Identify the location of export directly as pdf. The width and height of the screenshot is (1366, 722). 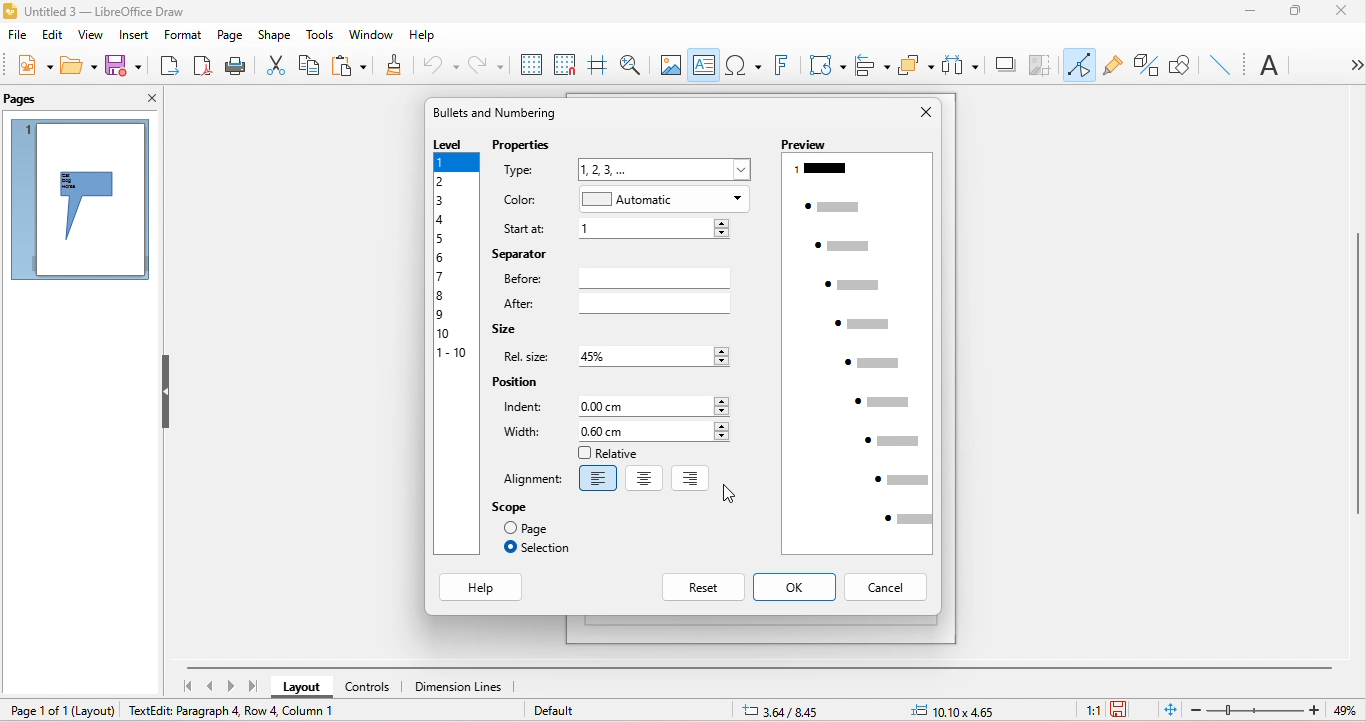
(202, 68).